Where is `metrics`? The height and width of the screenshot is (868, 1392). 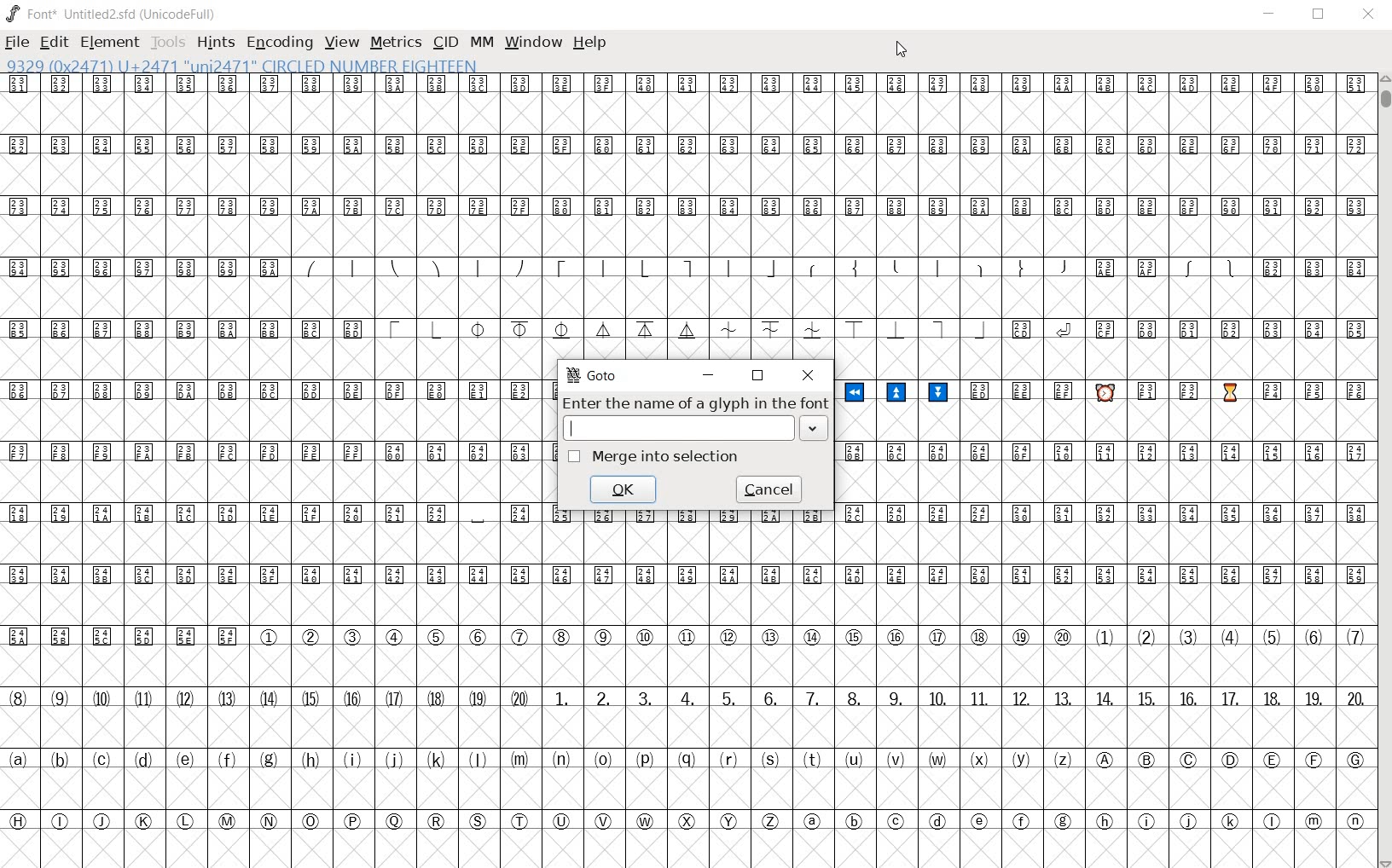 metrics is located at coordinates (396, 42).